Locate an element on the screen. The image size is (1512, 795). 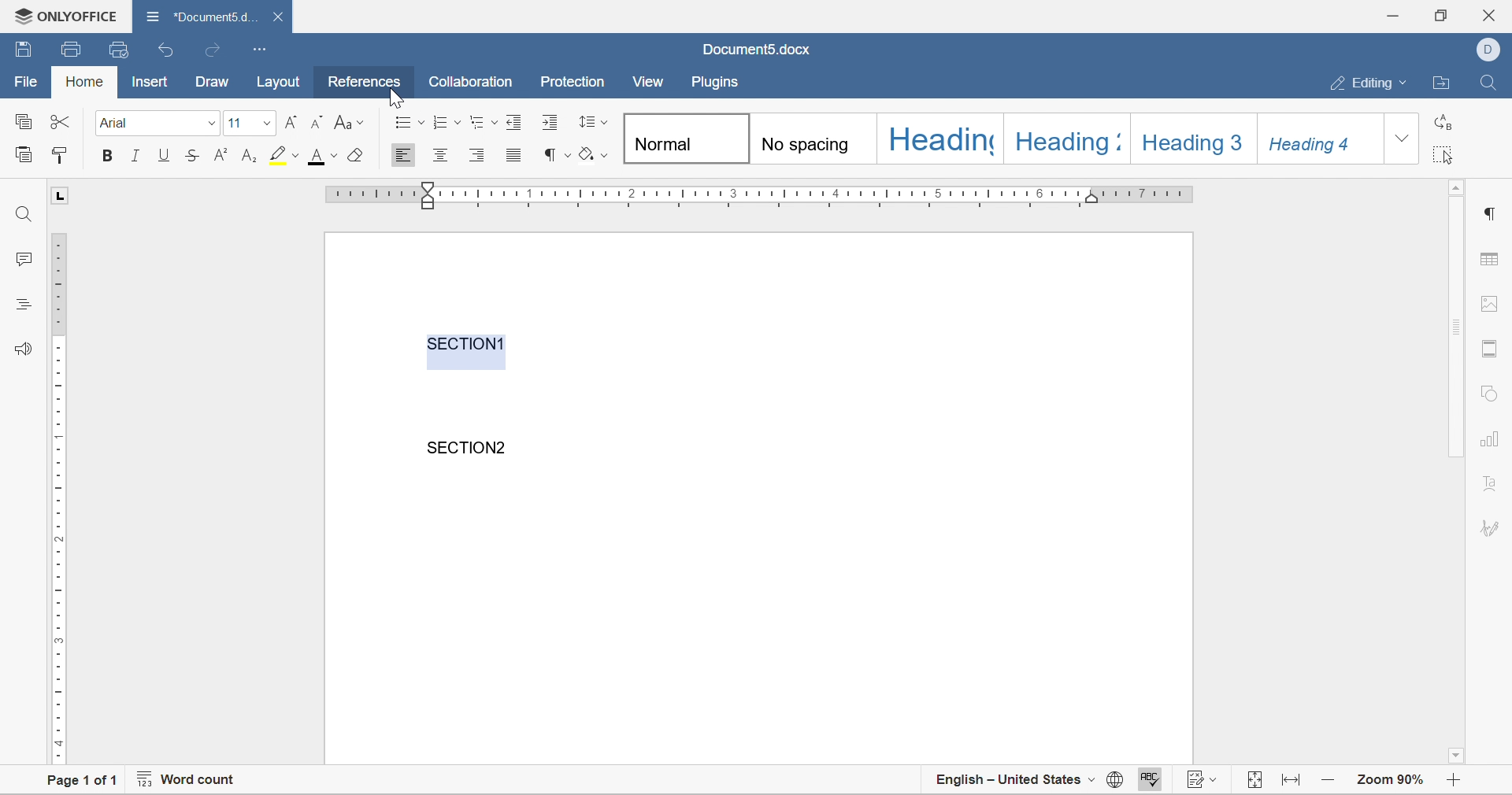
headings is located at coordinates (21, 302).